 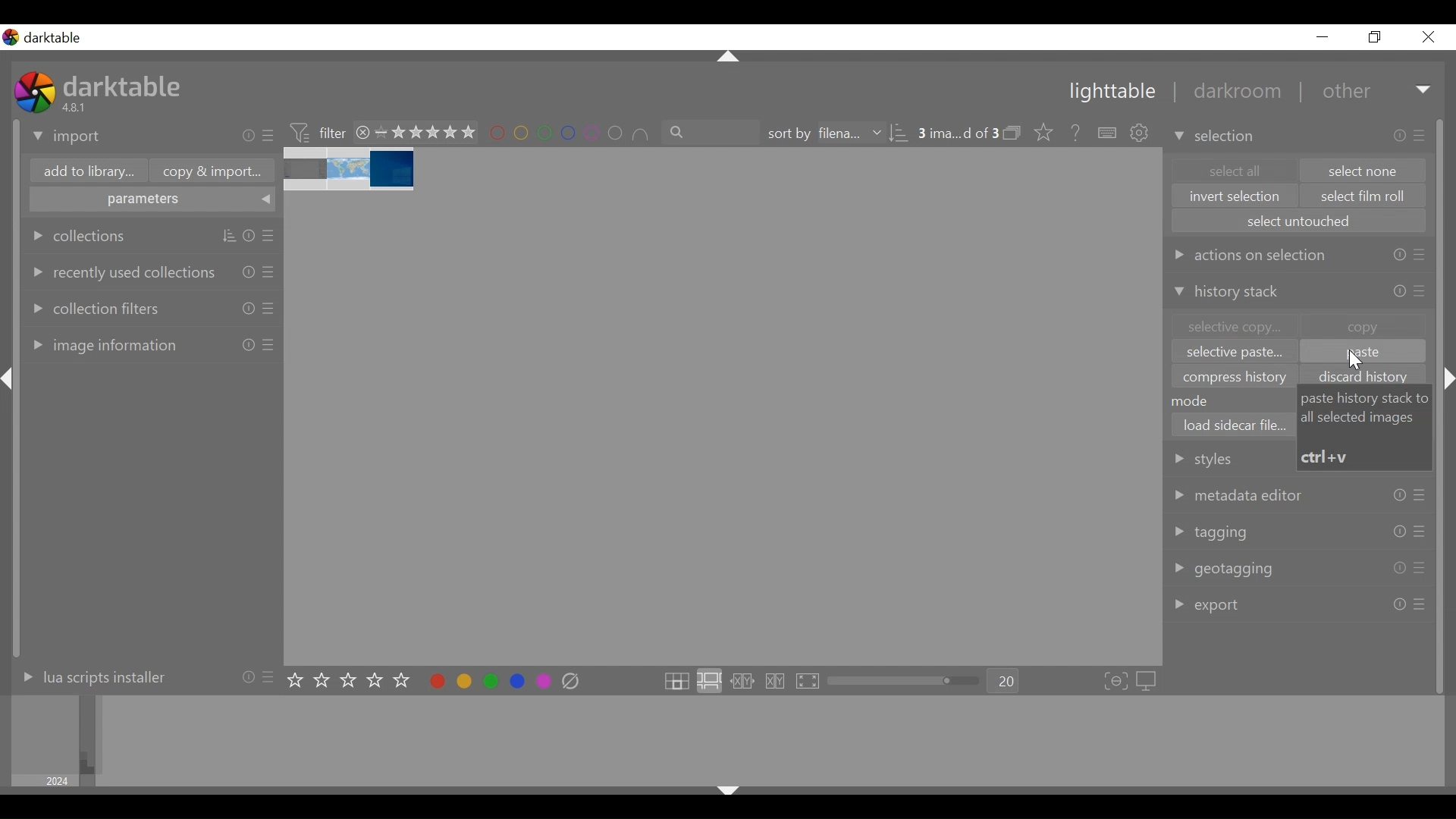 I want to click on info, so click(x=1401, y=136).